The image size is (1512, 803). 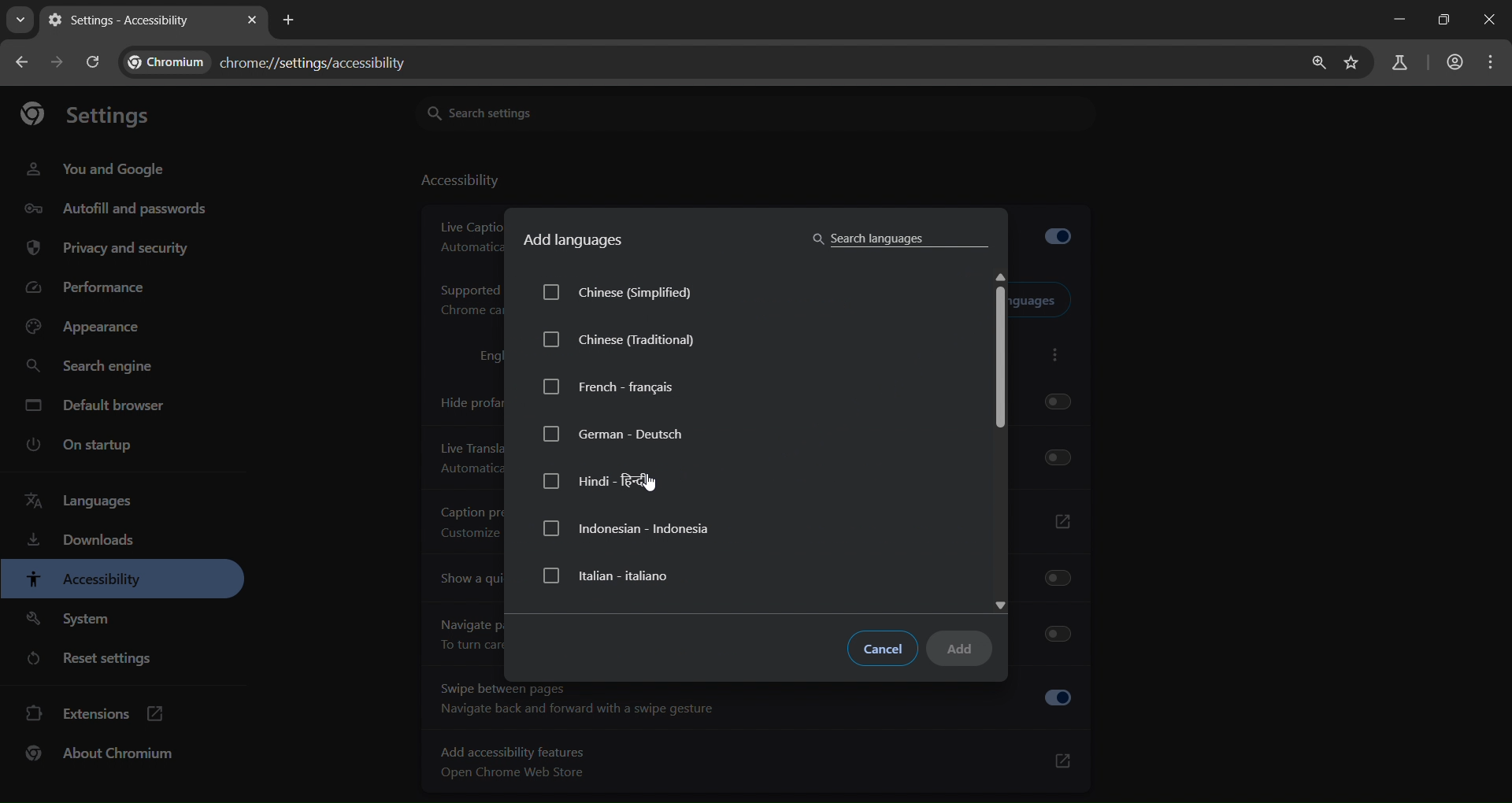 What do you see at coordinates (614, 433) in the screenshot?
I see `German - Deutsch` at bounding box center [614, 433].